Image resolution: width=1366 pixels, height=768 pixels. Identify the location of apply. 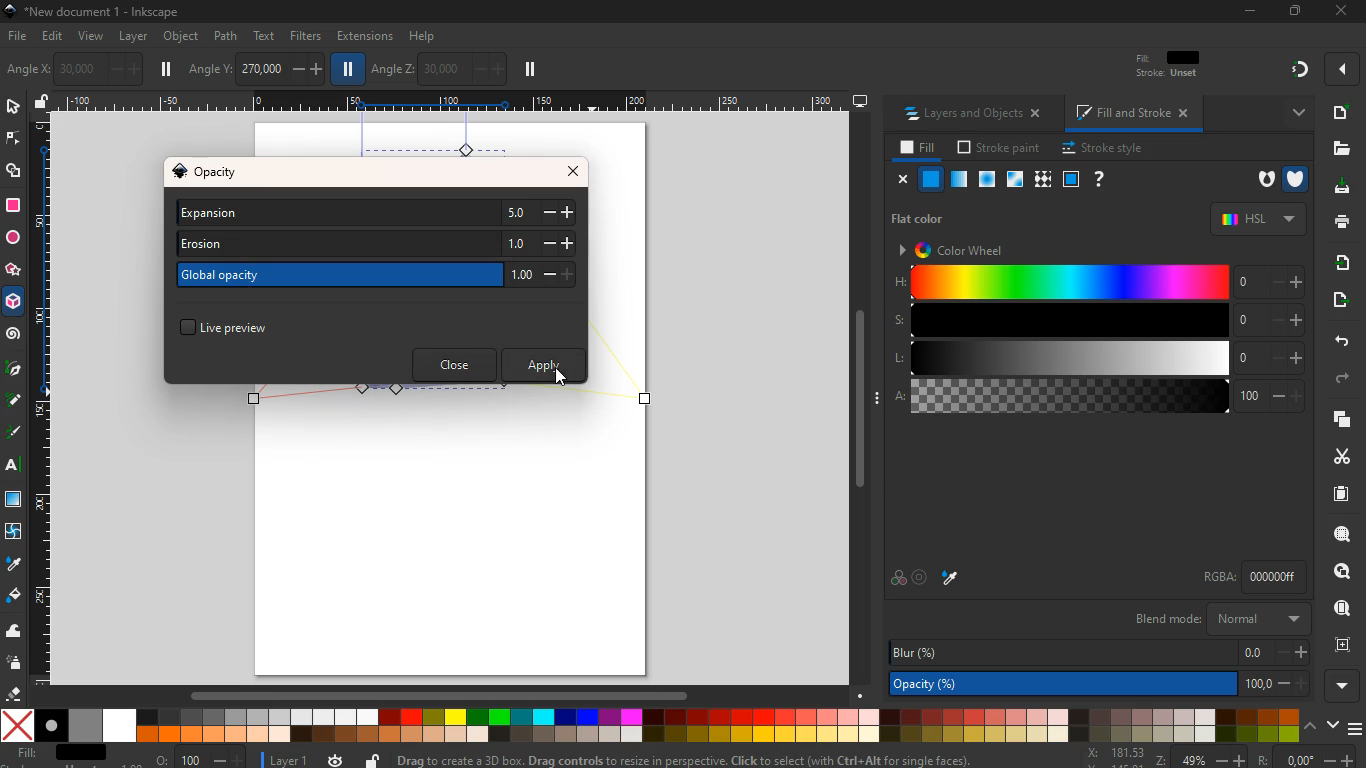
(545, 365).